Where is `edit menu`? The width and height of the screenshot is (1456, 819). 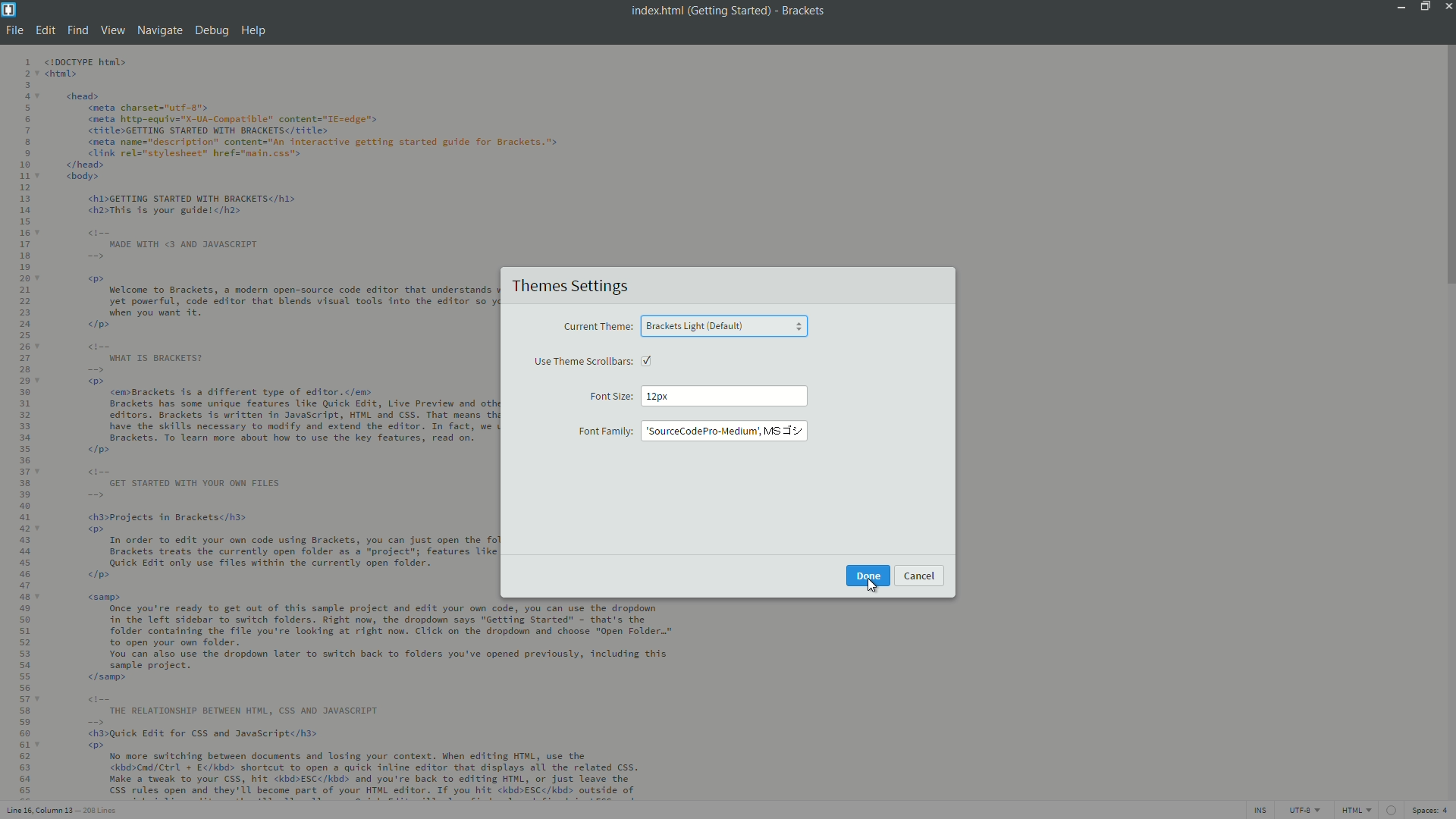
edit menu is located at coordinates (45, 31).